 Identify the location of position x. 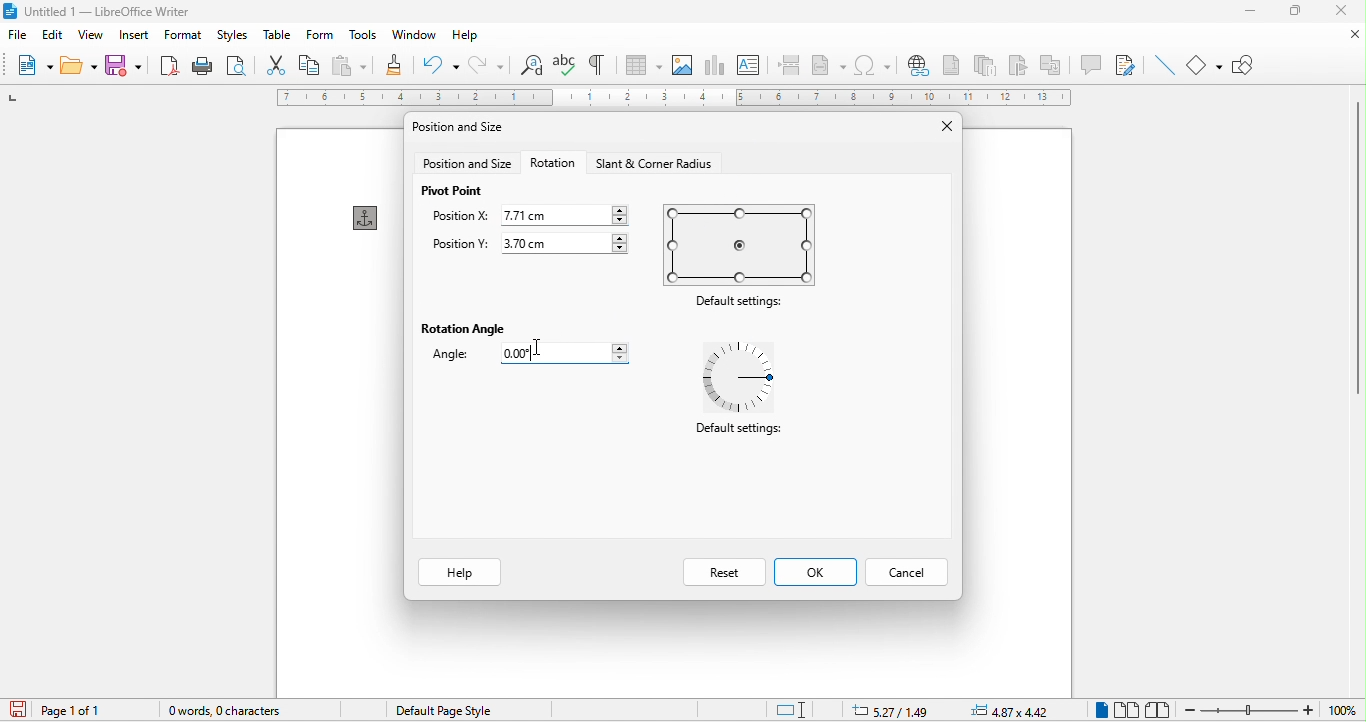
(454, 218).